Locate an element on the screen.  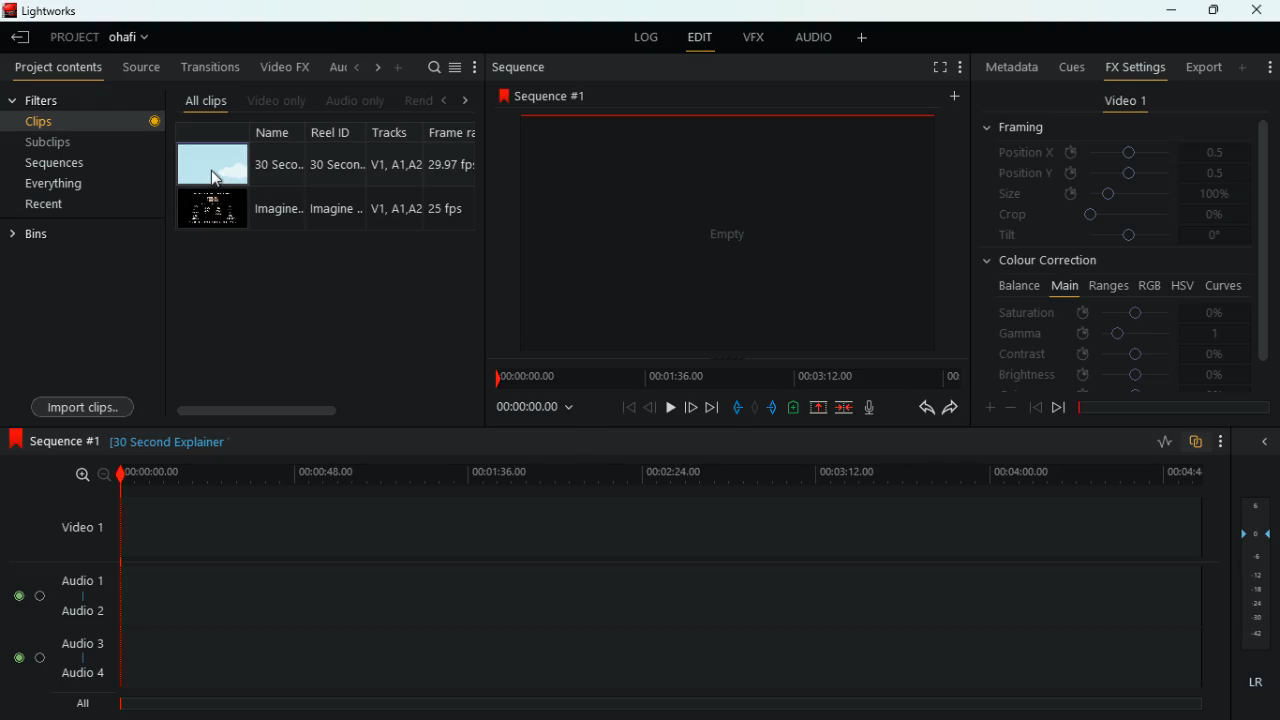
transitions is located at coordinates (206, 67).